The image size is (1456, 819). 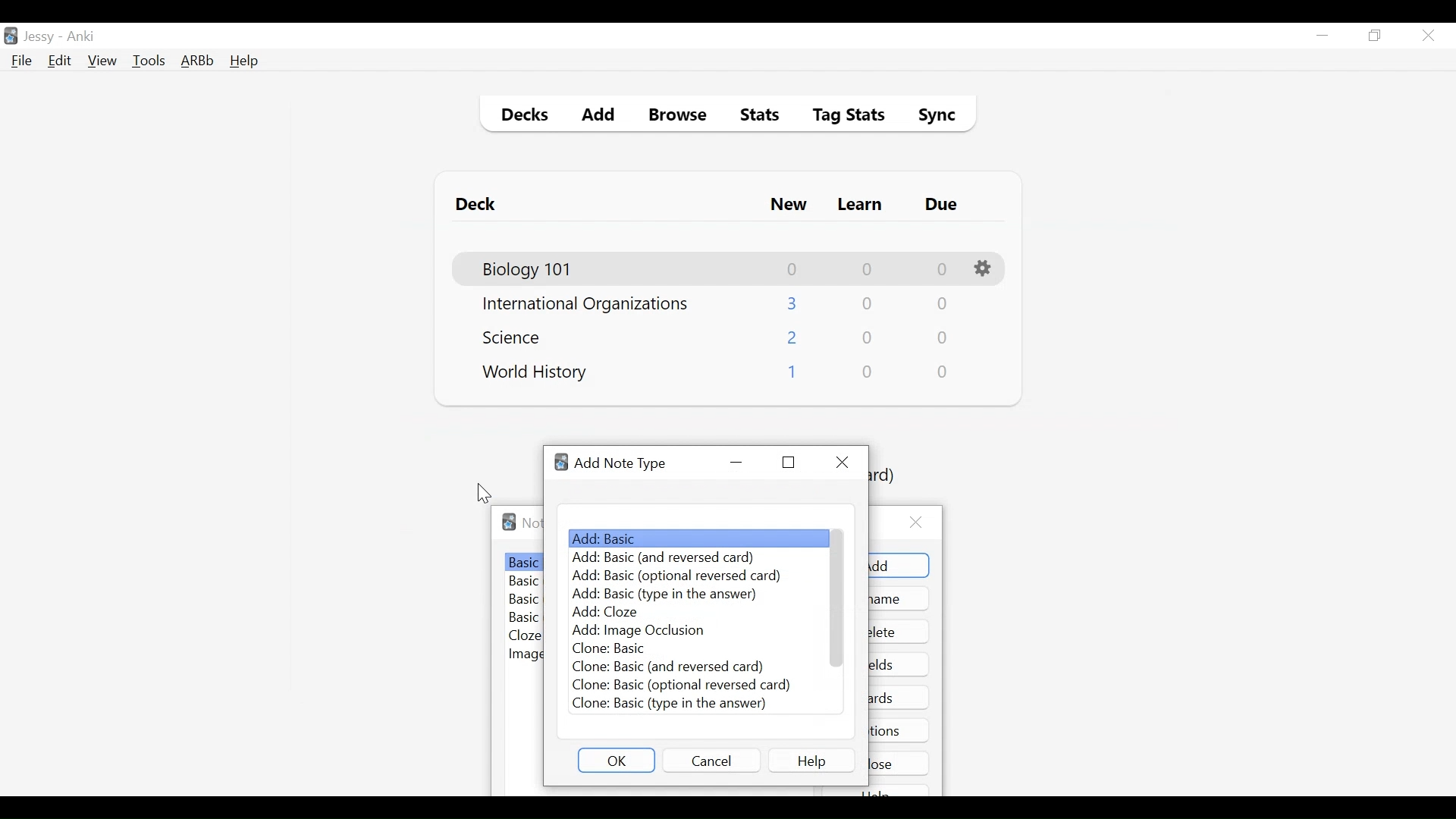 I want to click on Tools, so click(x=149, y=60).